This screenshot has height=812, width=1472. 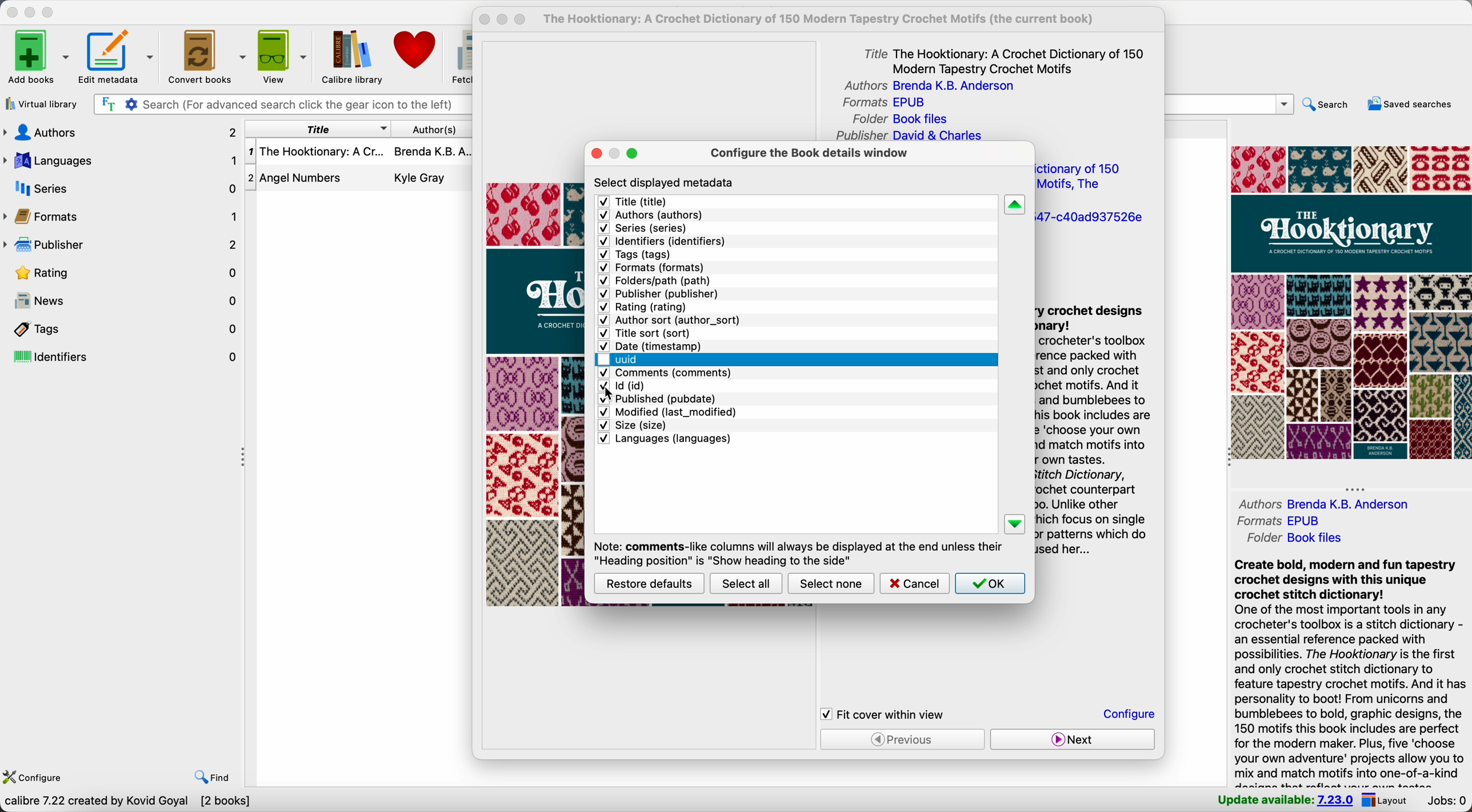 What do you see at coordinates (903, 739) in the screenshot?
I see `previous` at bounding box center [903, 739].